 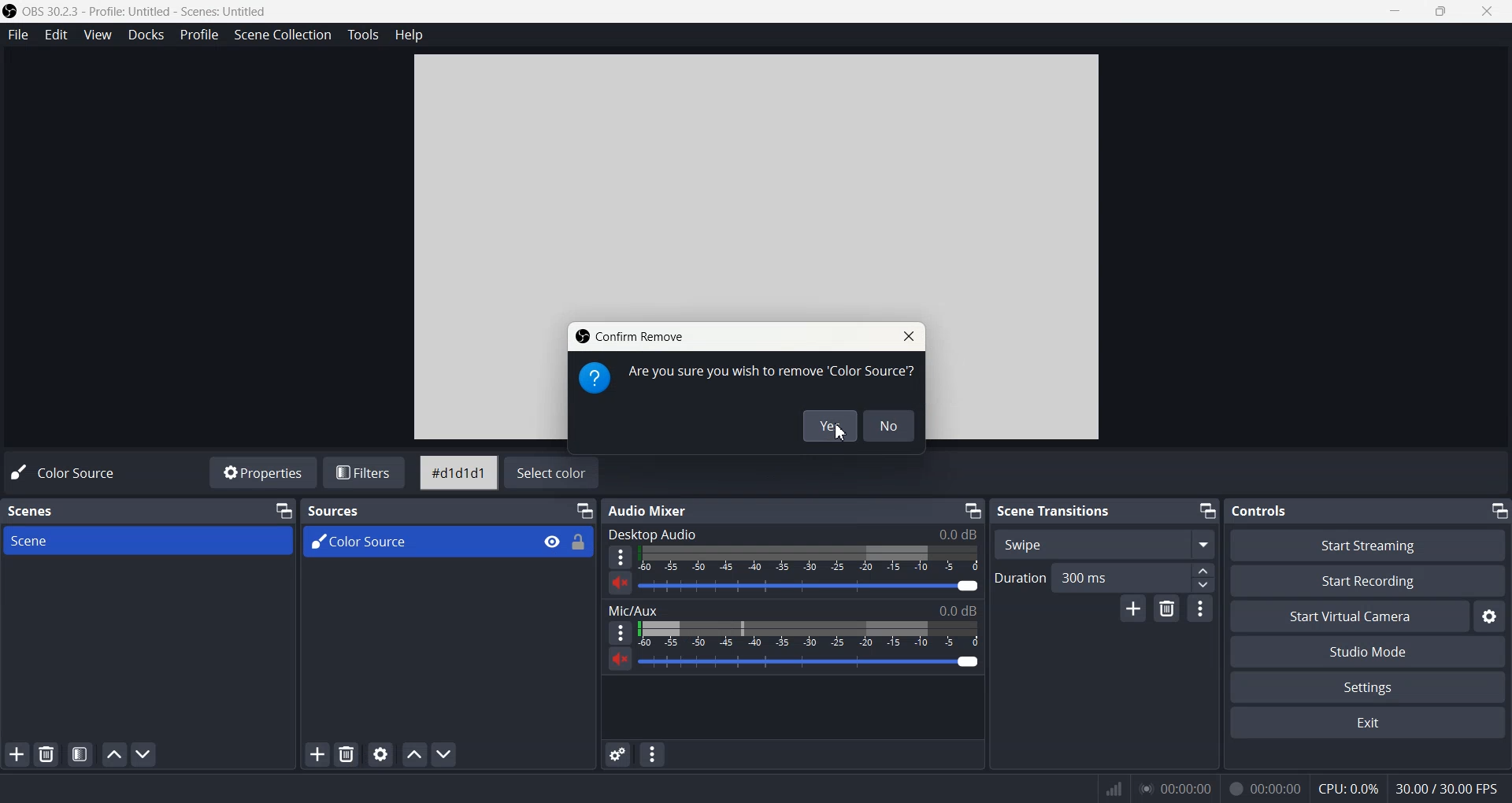 I want to click on Eye, so click(x=552, y=542).